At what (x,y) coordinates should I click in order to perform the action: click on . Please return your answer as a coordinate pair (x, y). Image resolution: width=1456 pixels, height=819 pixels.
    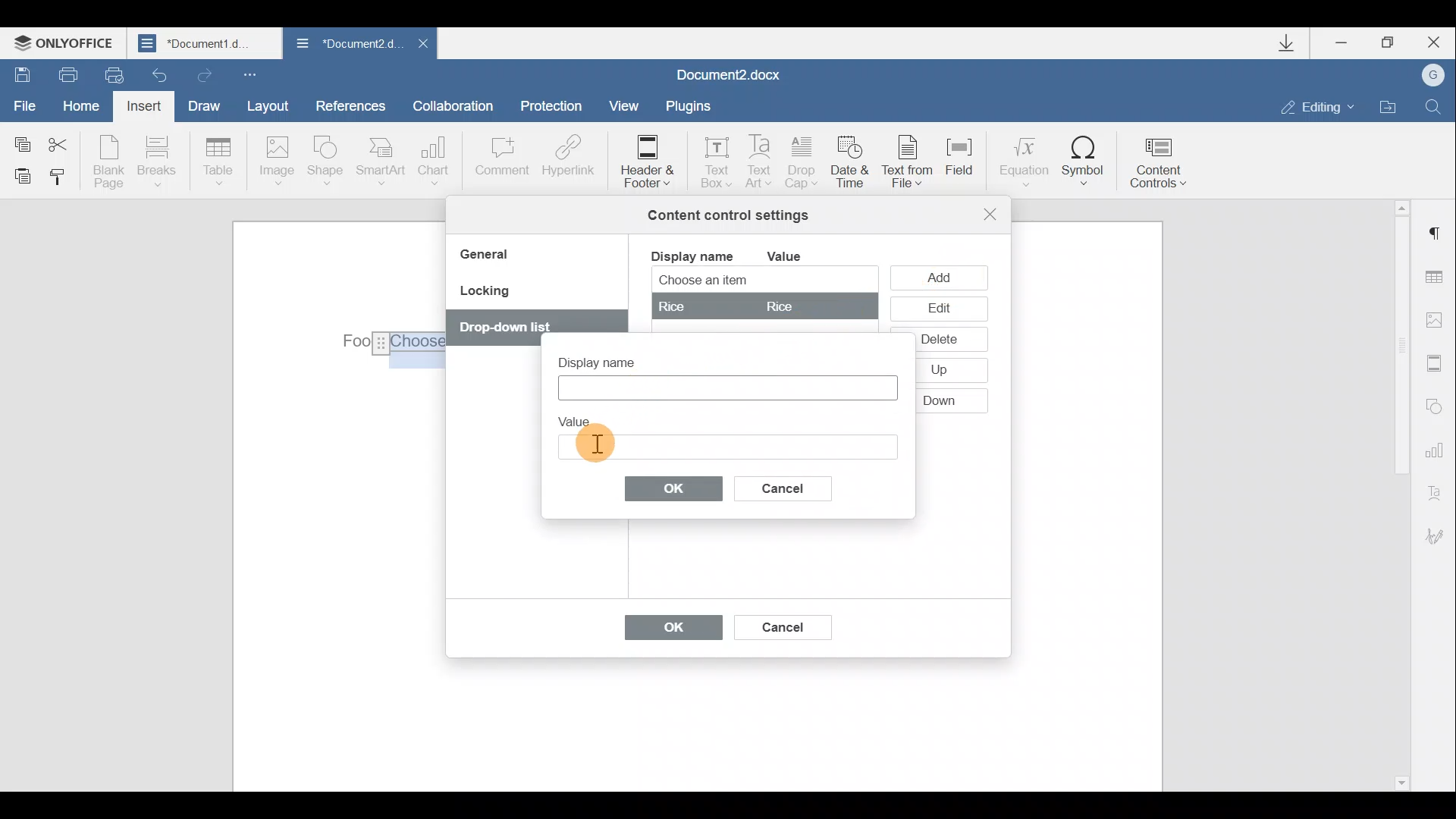
    Looking at the image, I should click on (942, 371).